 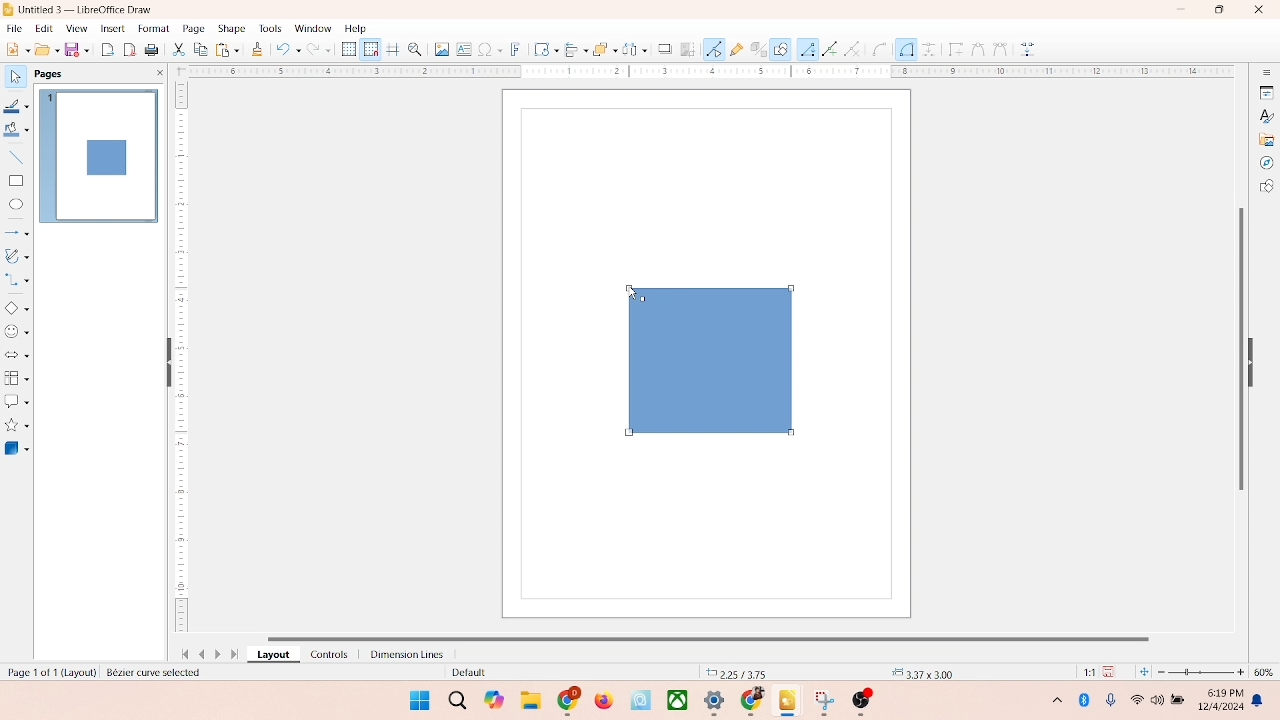 What do you see at coordinates (17, 448) in the screenshot?
I see `3D shape` at bounding box center [17, 448].